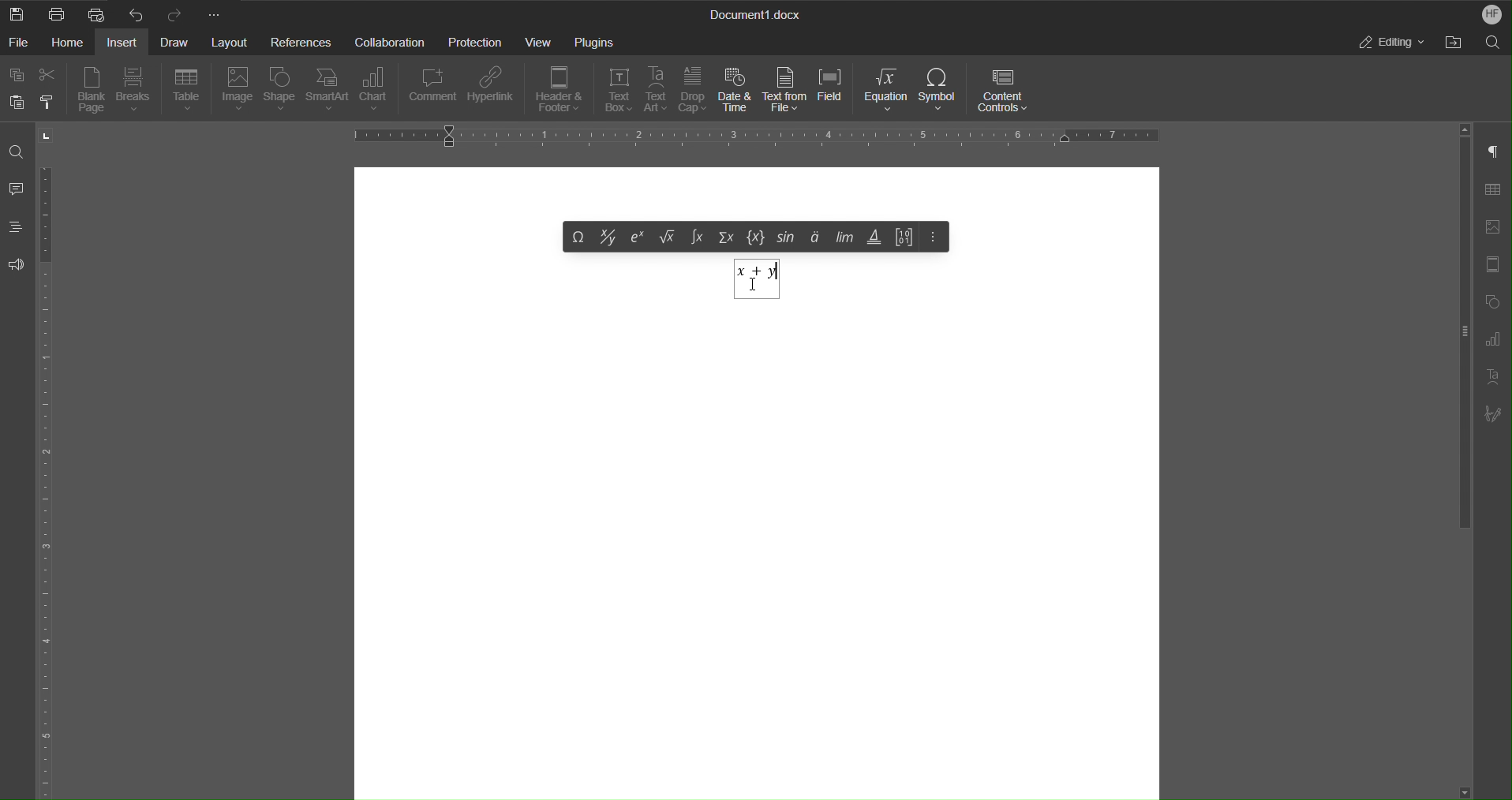  What do you see at coordinates (185, 91) in the screenshot?
I see `Table` at bounding box center [185, 91].